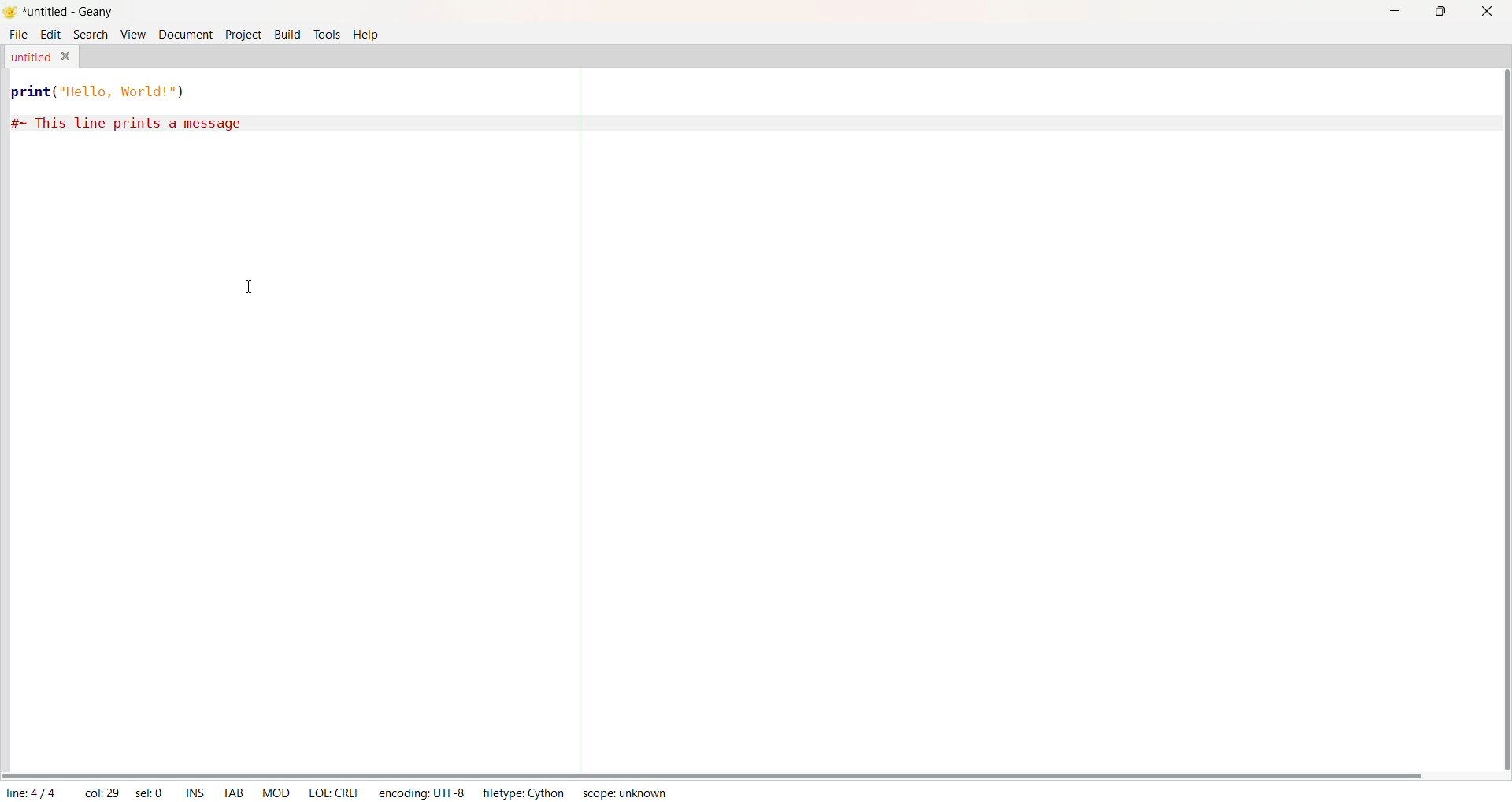  What do you see at coordinates (1441, 12) in the screenshot?
I see `Maximize` at bounding box center [1441, 12].